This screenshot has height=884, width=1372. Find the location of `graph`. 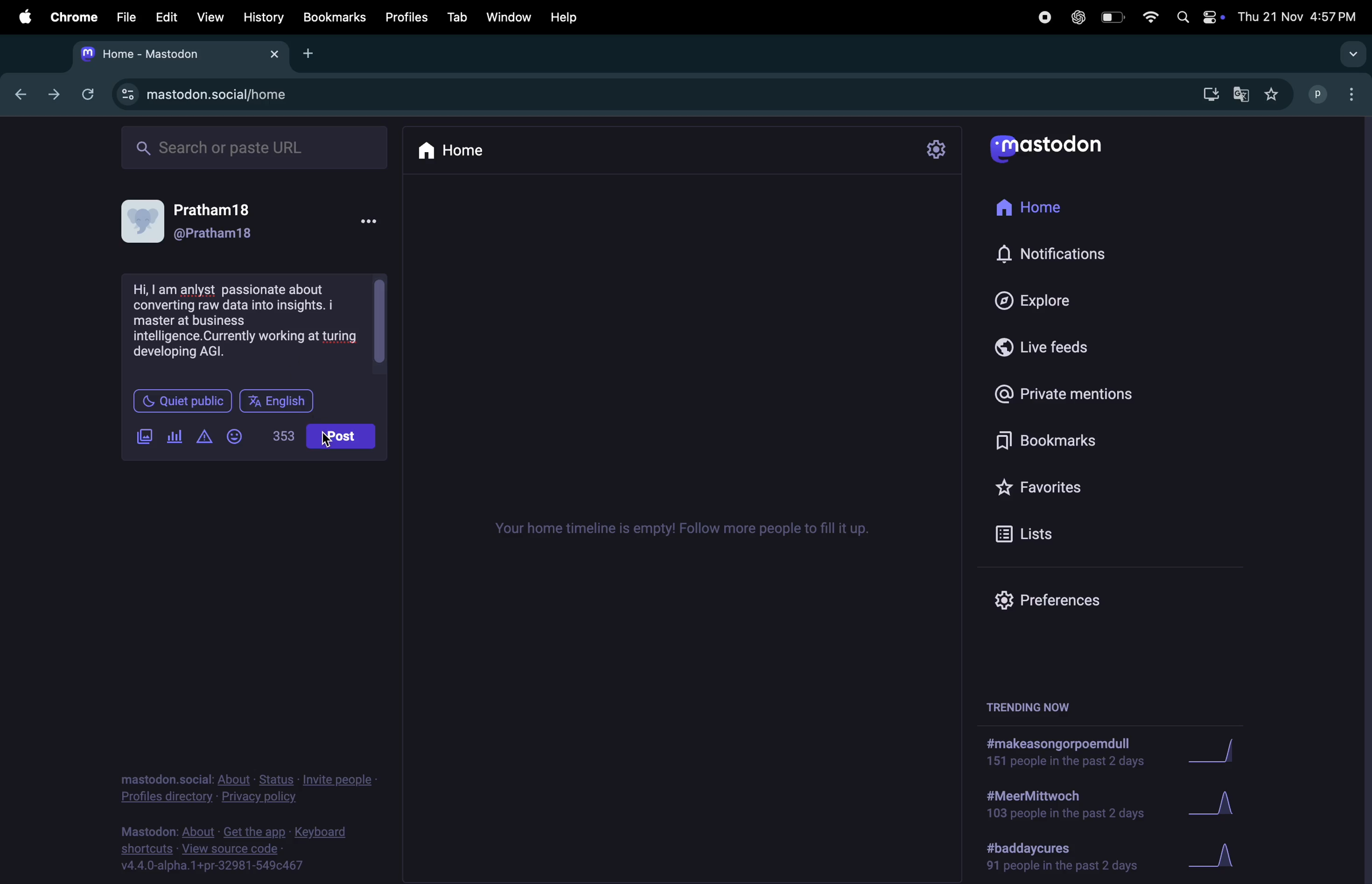

graph is located at coordinates (1218, 753).